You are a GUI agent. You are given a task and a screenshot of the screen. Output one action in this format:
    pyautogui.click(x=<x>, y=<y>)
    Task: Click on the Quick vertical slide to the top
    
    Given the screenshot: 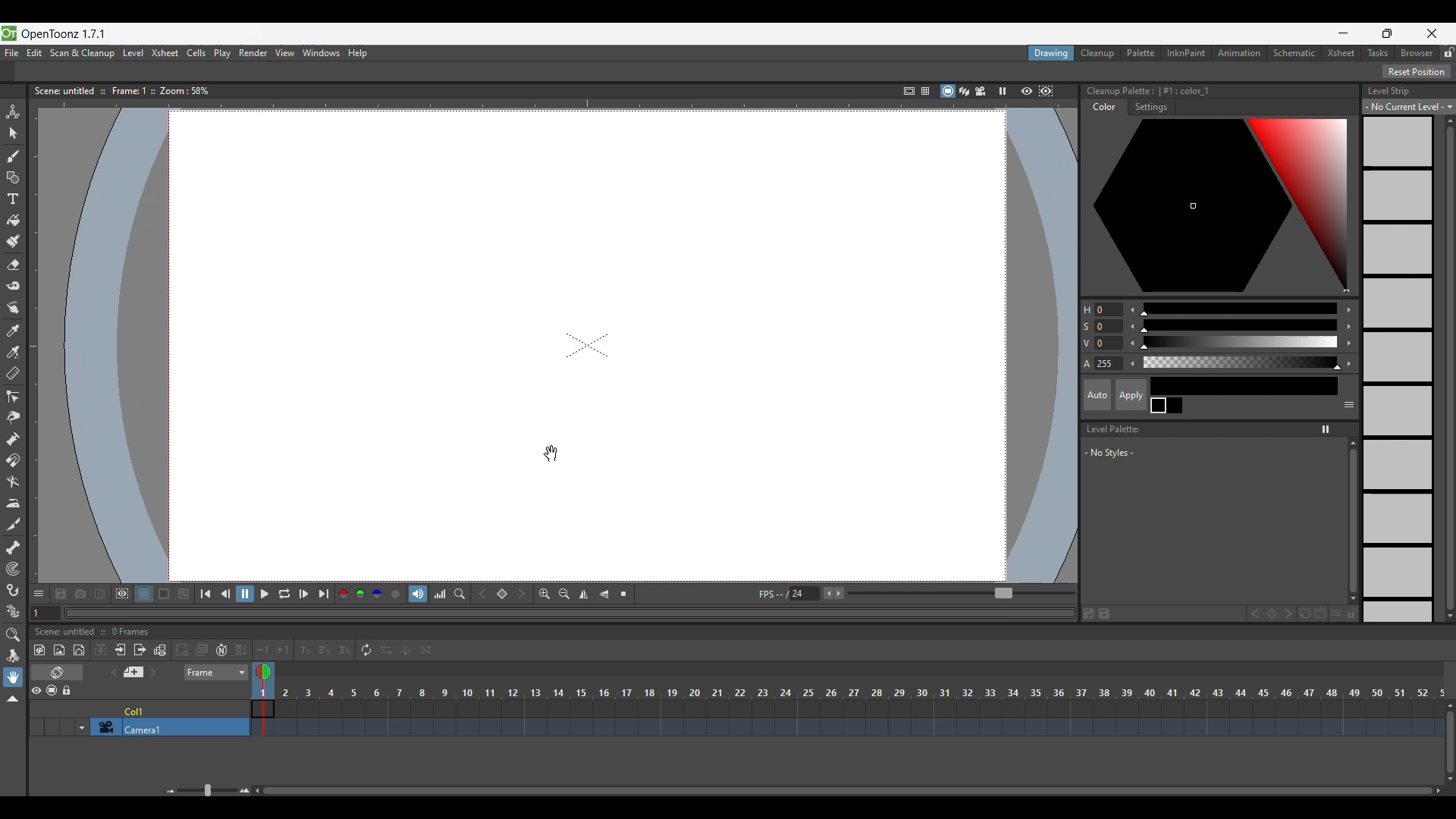 What is the action you would take?
    pyautogui.click(x=1353, y=442)
    